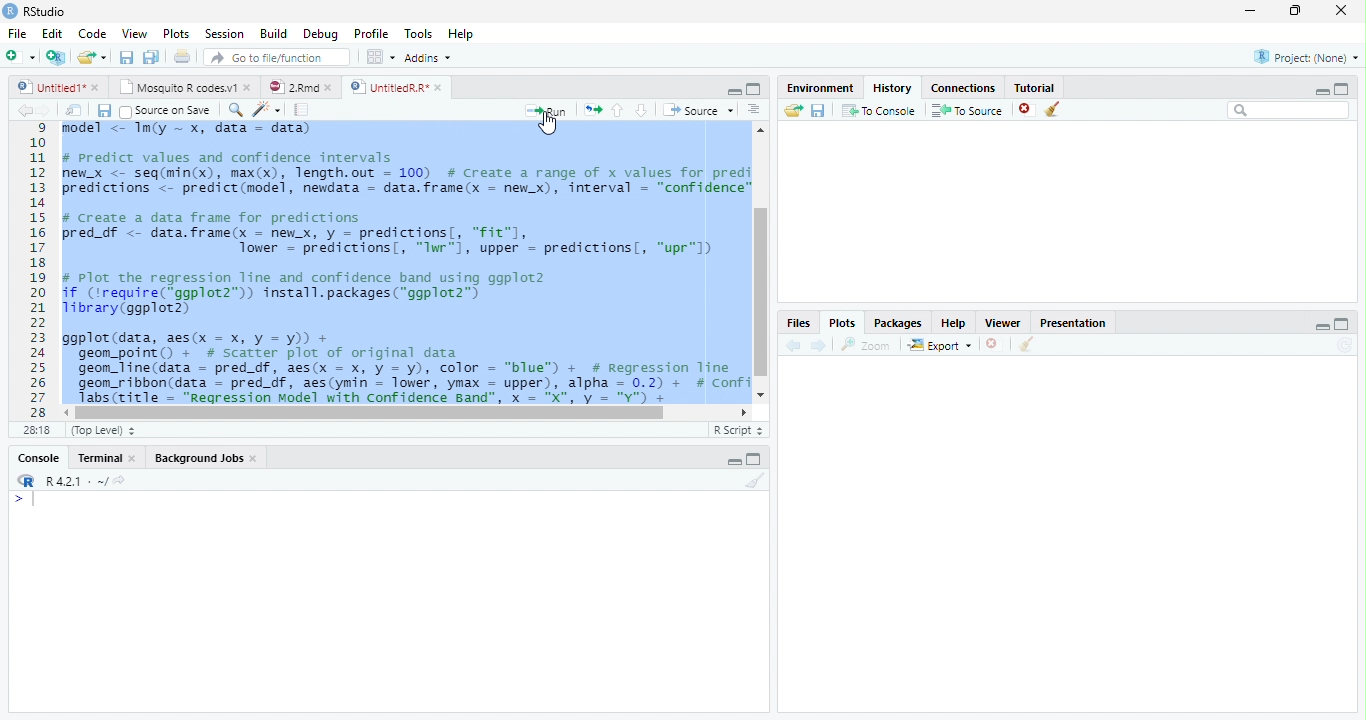  What do you see at coordinates (150, 58) in the screenshot?
I see `Save all file` at bounding box center [150, 58].